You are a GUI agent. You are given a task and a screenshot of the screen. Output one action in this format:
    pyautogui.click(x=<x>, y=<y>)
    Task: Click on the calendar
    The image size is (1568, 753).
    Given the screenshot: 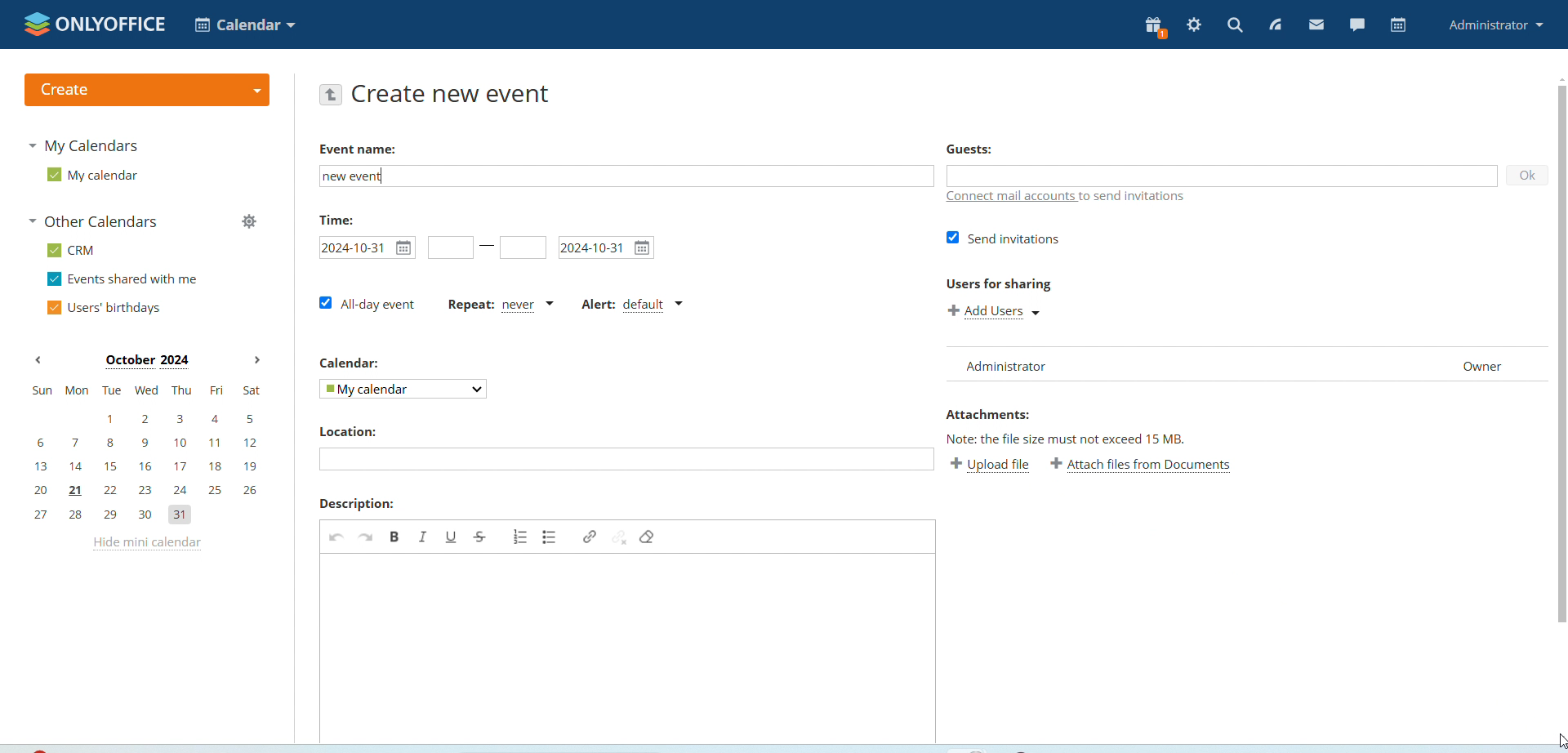 What is the action you would take?
    pyautogui.click(x=1400, y=25)
    